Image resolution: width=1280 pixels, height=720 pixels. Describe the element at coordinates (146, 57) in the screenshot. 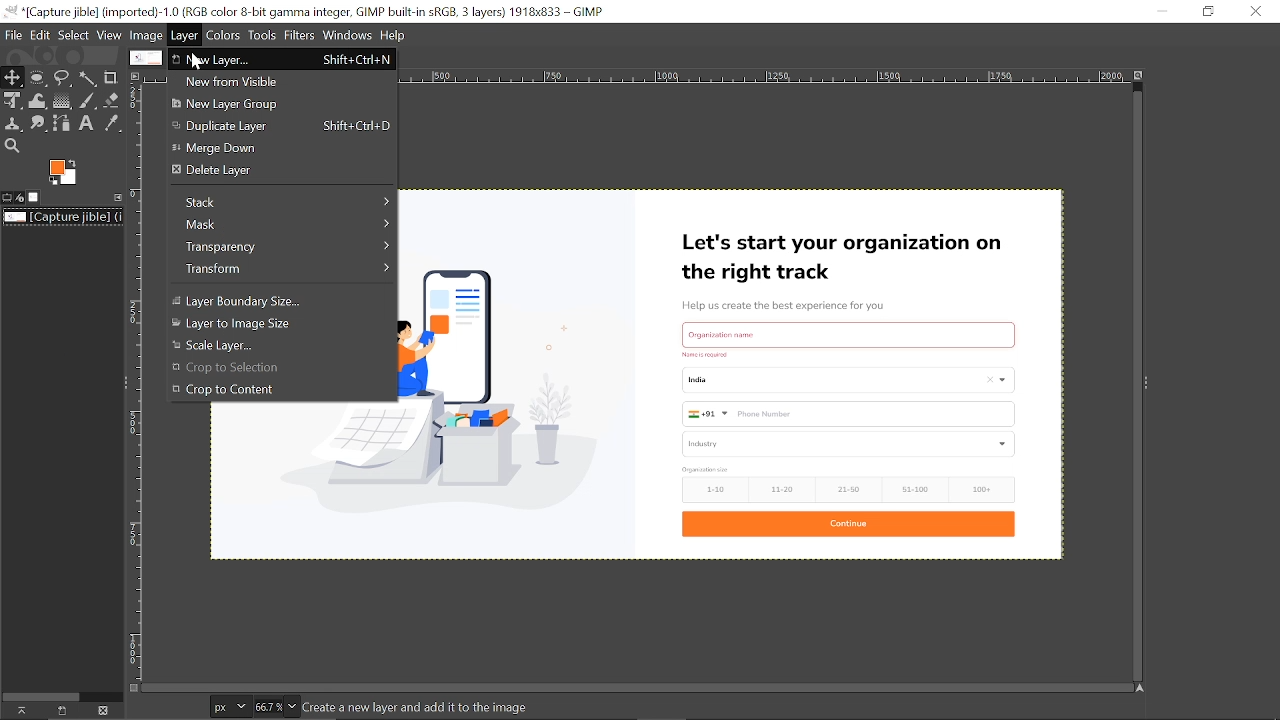

I see `Current tab` at that location.